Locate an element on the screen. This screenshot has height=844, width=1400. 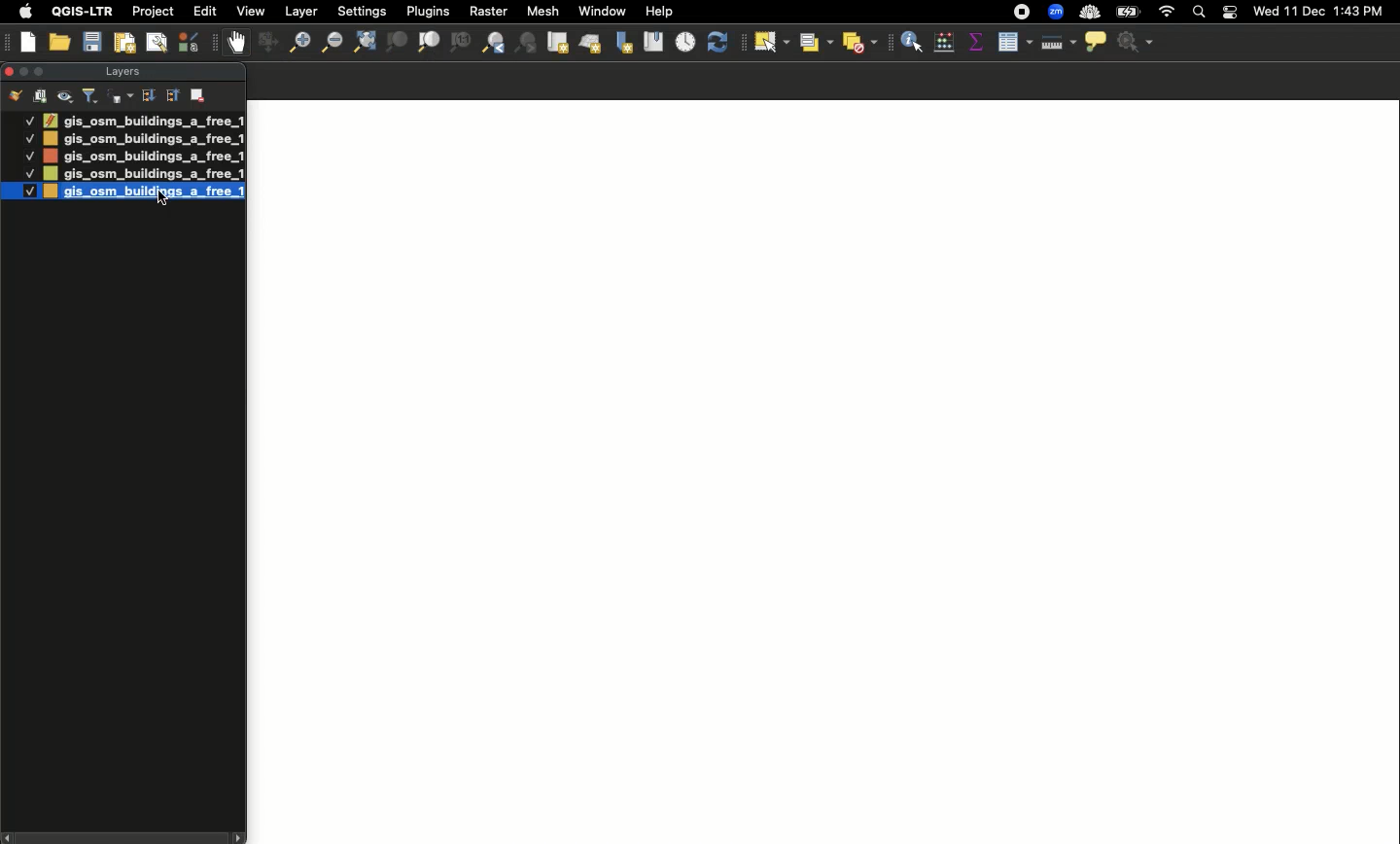
Checked is located at coordinates (28, 120).